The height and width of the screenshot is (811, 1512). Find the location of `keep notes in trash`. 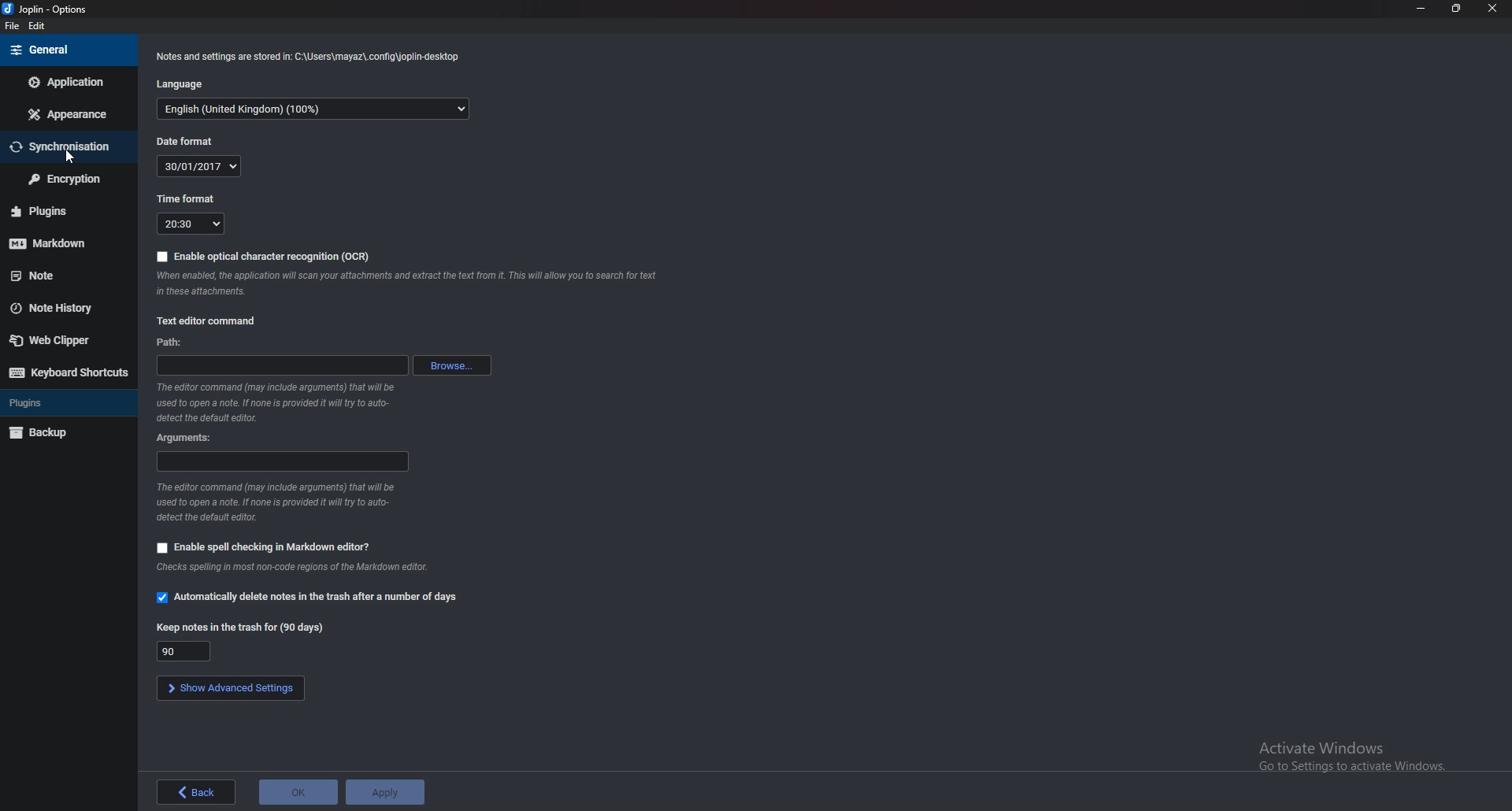

keep notes in trash is located at coordinates (245, 627).